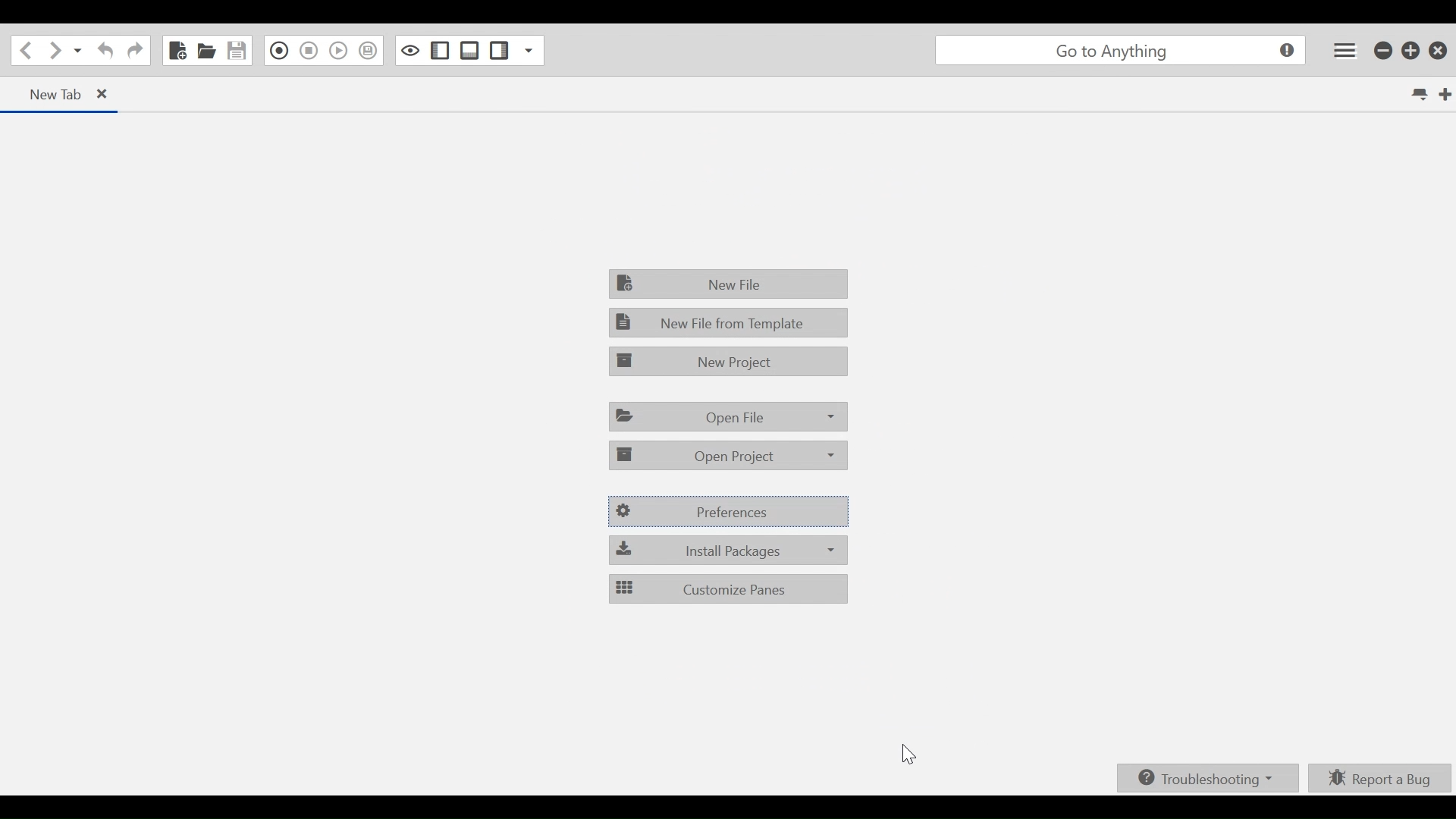  Describe the element at coordinates (527, 51) in the screenshot. I see `Show Specific Sidebar` at that location.